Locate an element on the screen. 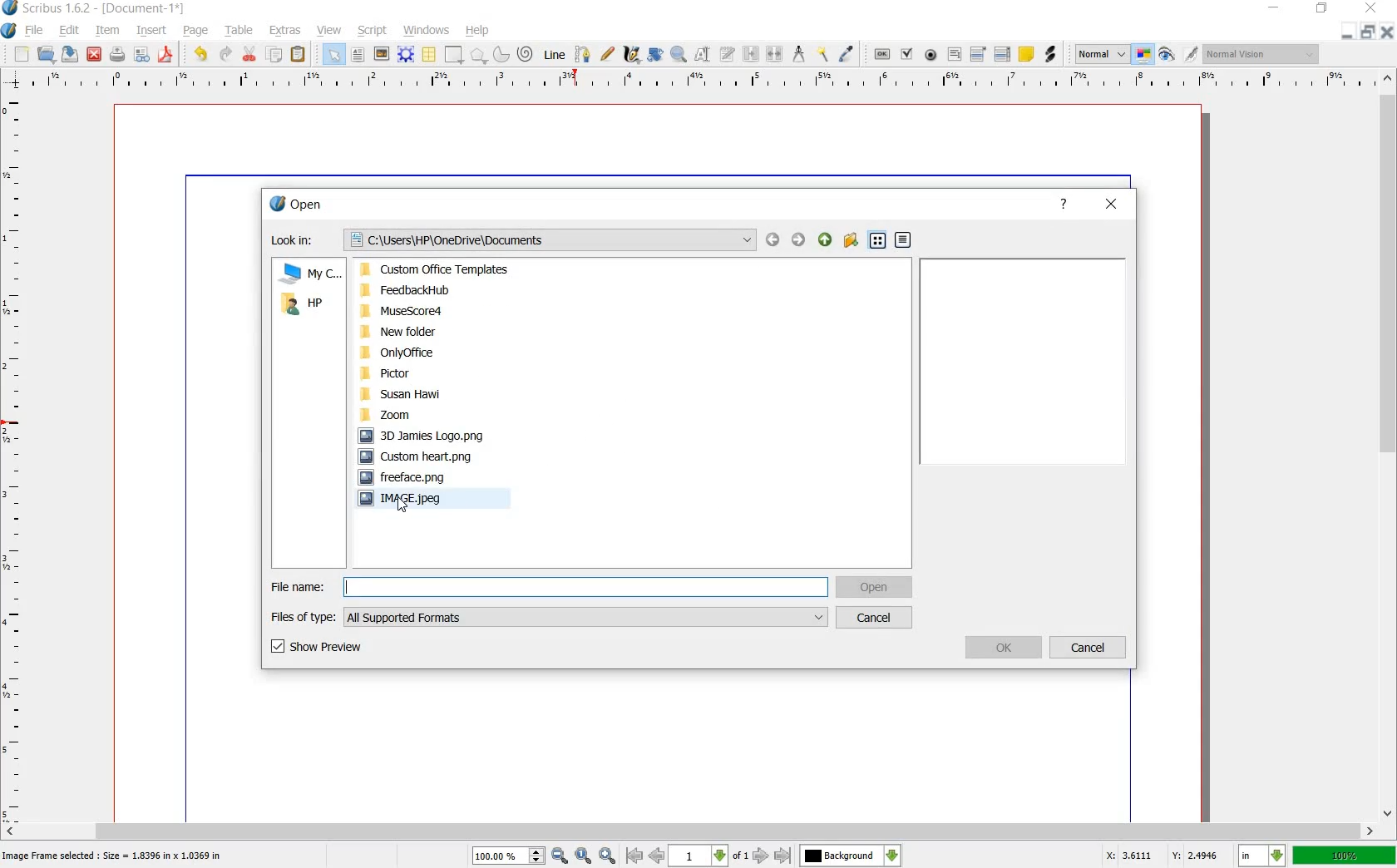  FILE NAME is located at coordinates (547, 586).